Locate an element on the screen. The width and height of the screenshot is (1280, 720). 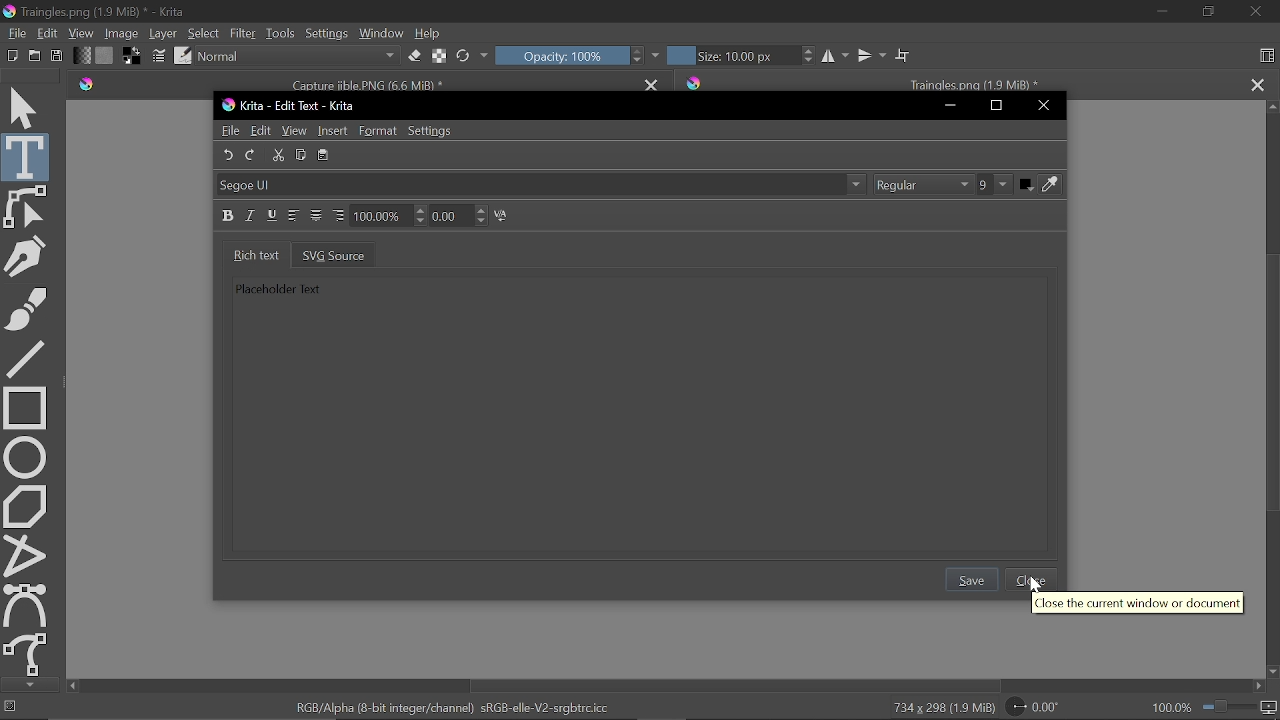
Move tool is located at coordinates (26, 106).